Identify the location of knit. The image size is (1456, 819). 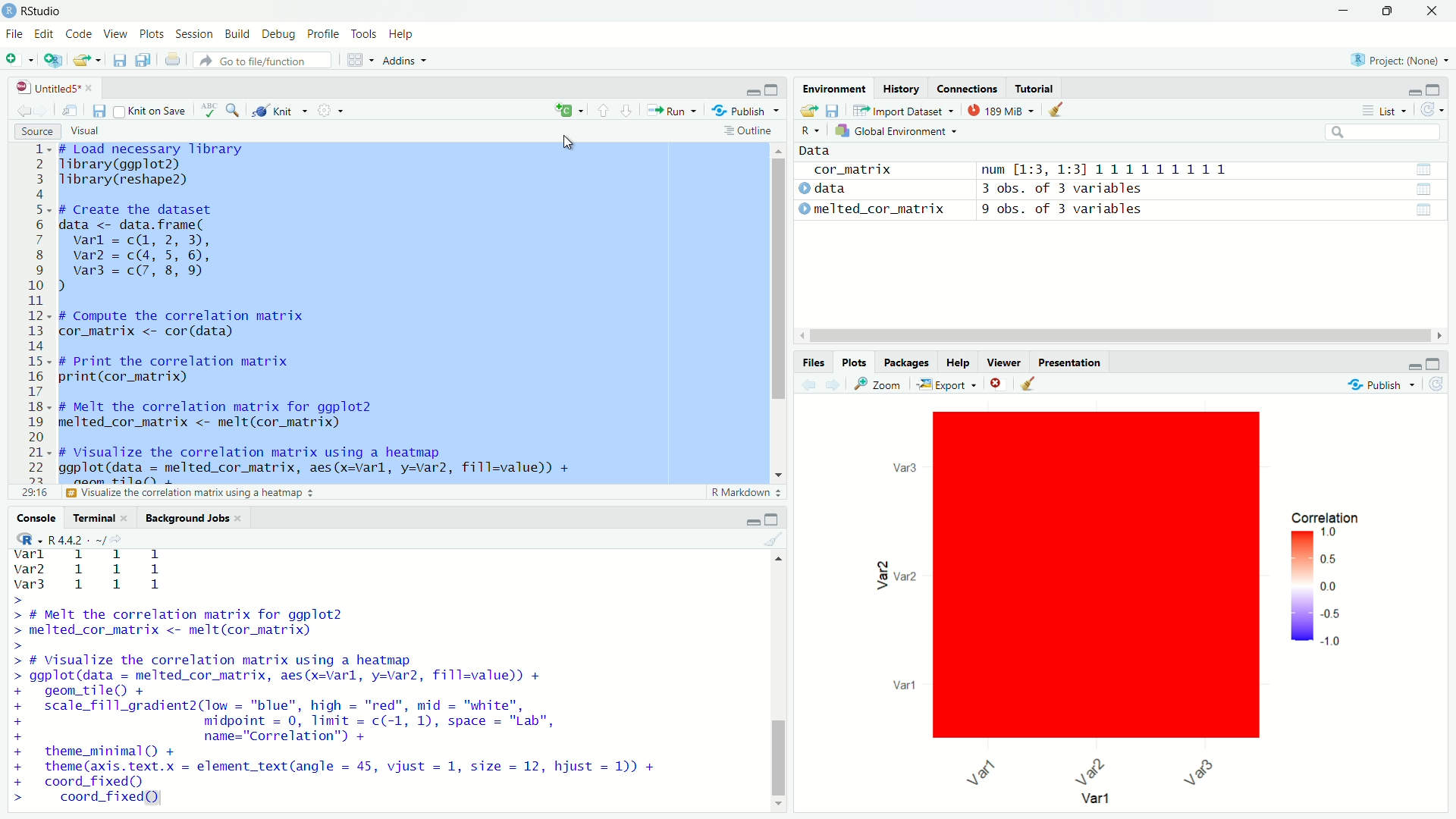
(275, 111).